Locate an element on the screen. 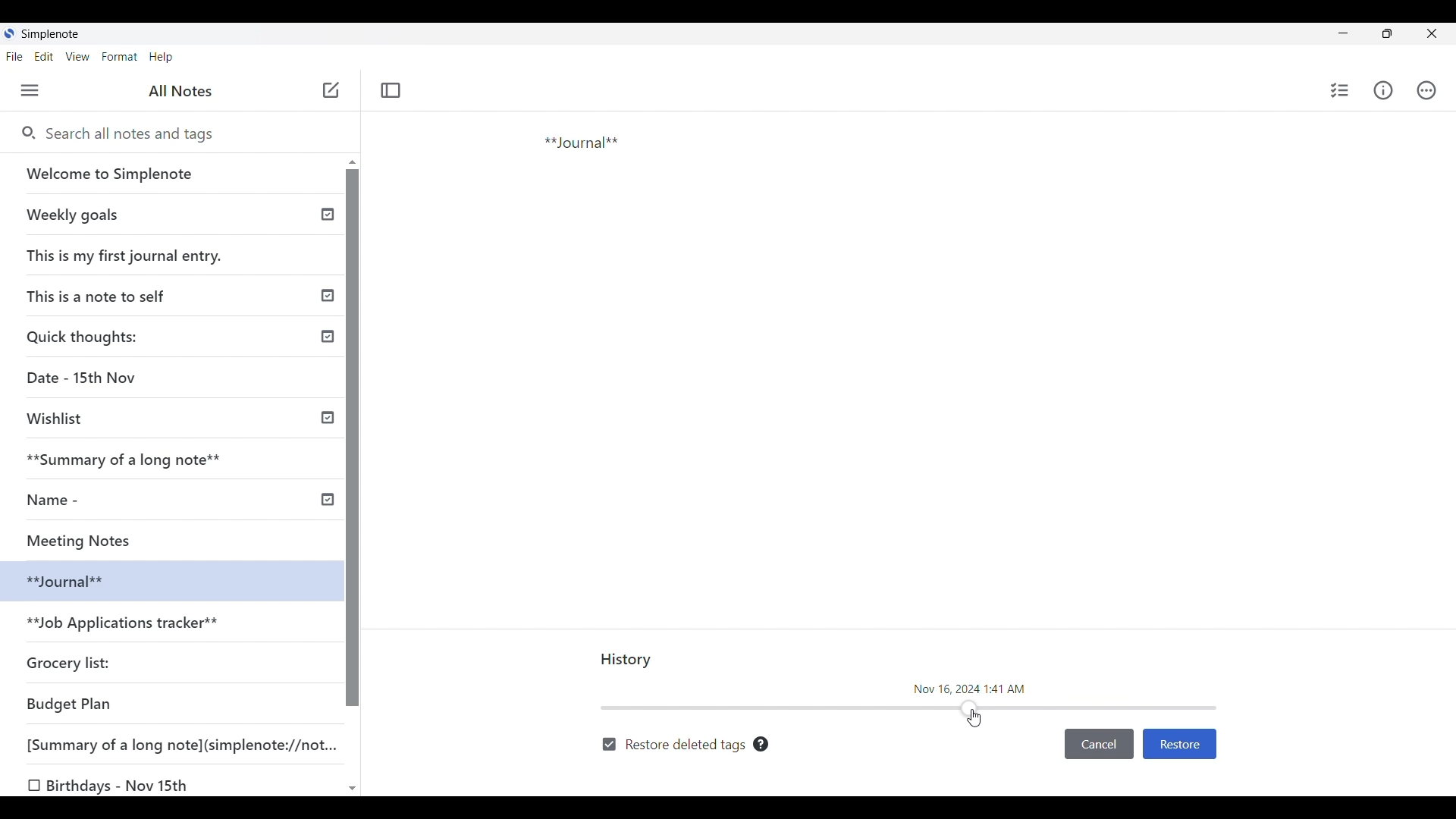 The width and height of the screenshot is (1456, 819). Time and date of current change is located at coordinates (970, 688).